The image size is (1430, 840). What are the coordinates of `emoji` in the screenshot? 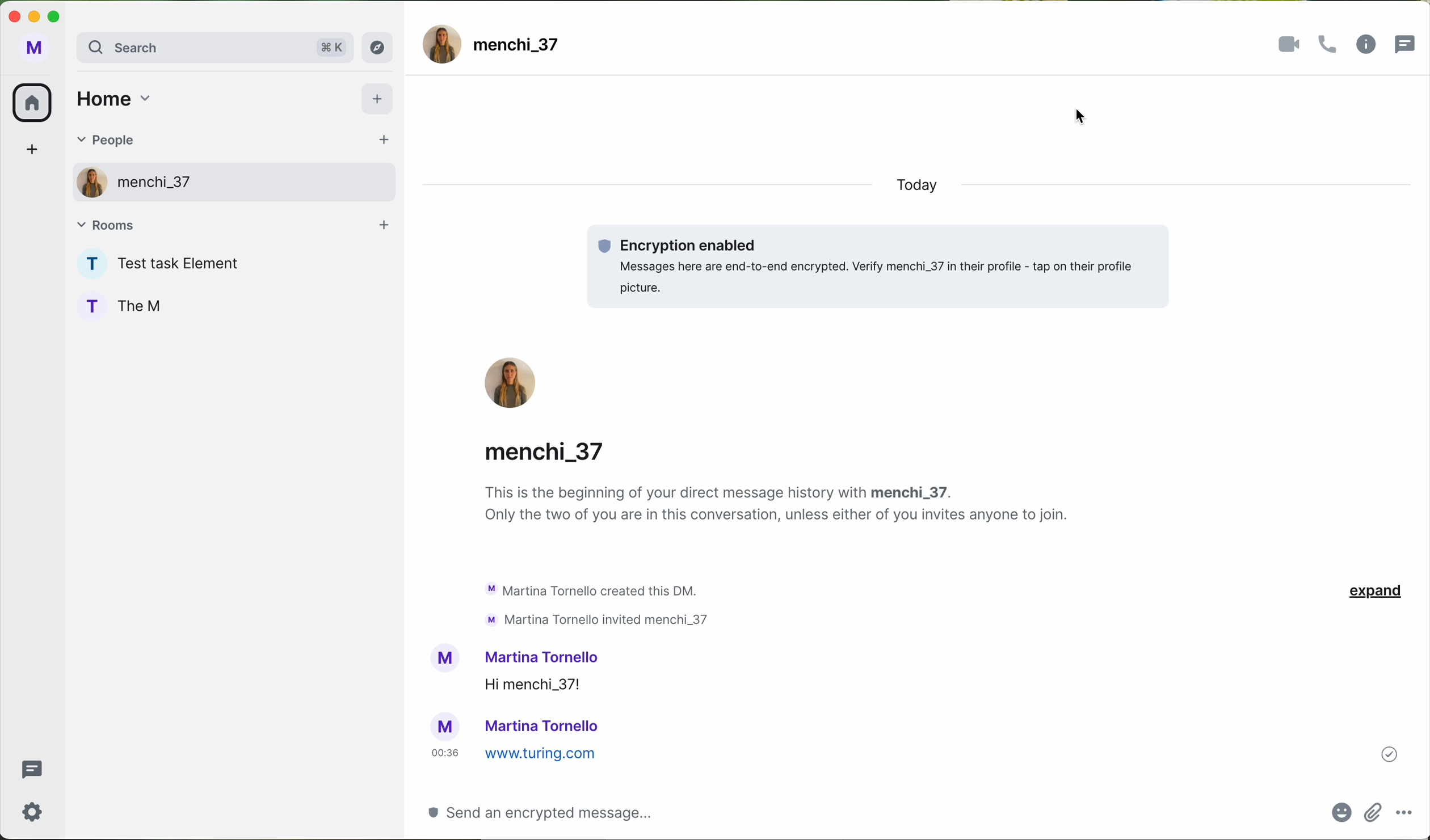 It's located at (1338, 813).